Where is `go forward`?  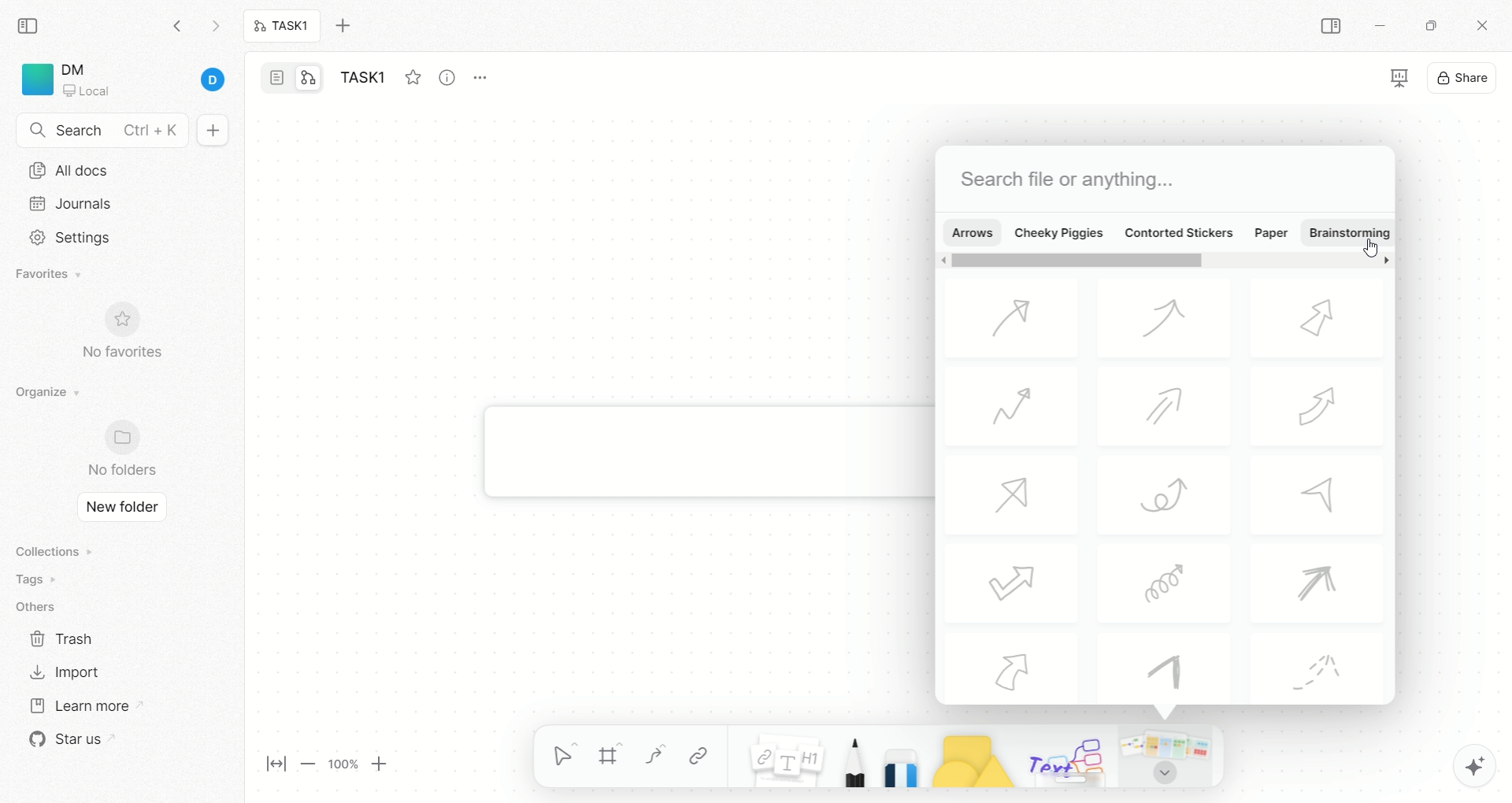 go forward is located at coordinates (215, 30).